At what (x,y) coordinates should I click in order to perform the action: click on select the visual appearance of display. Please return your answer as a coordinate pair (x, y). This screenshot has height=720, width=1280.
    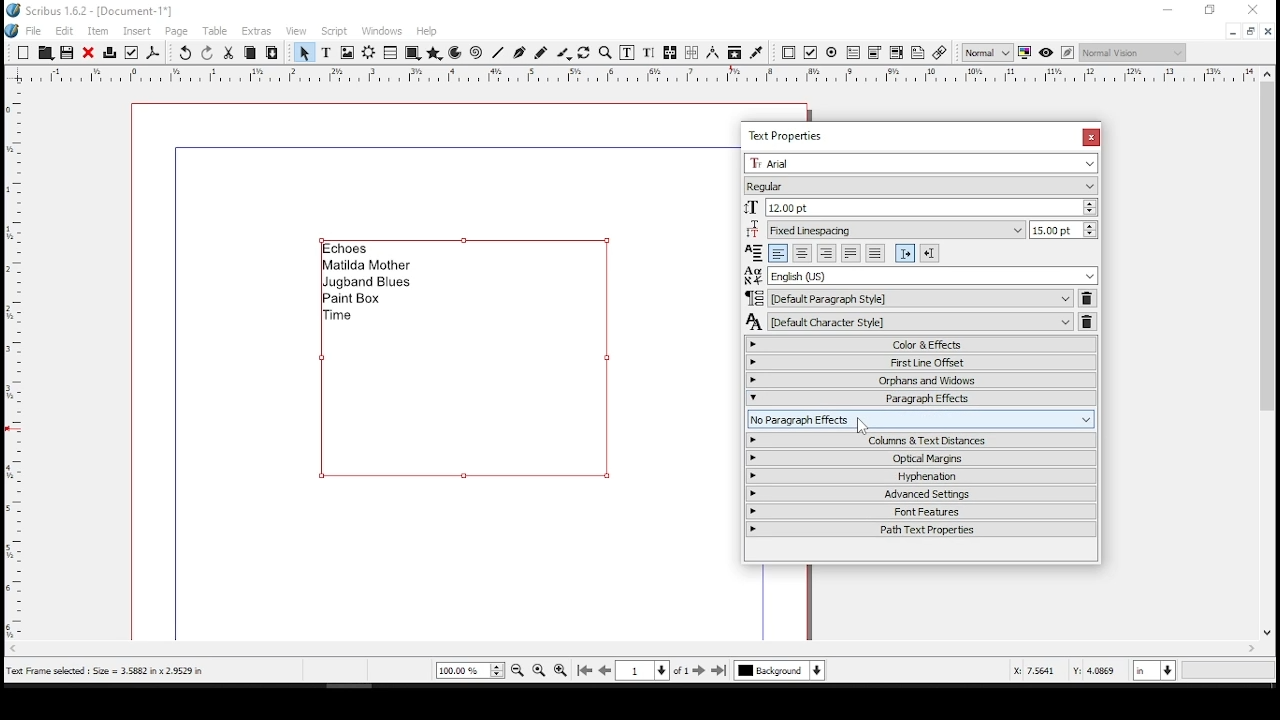
    Looking at the image, I should click on (1132, 52).